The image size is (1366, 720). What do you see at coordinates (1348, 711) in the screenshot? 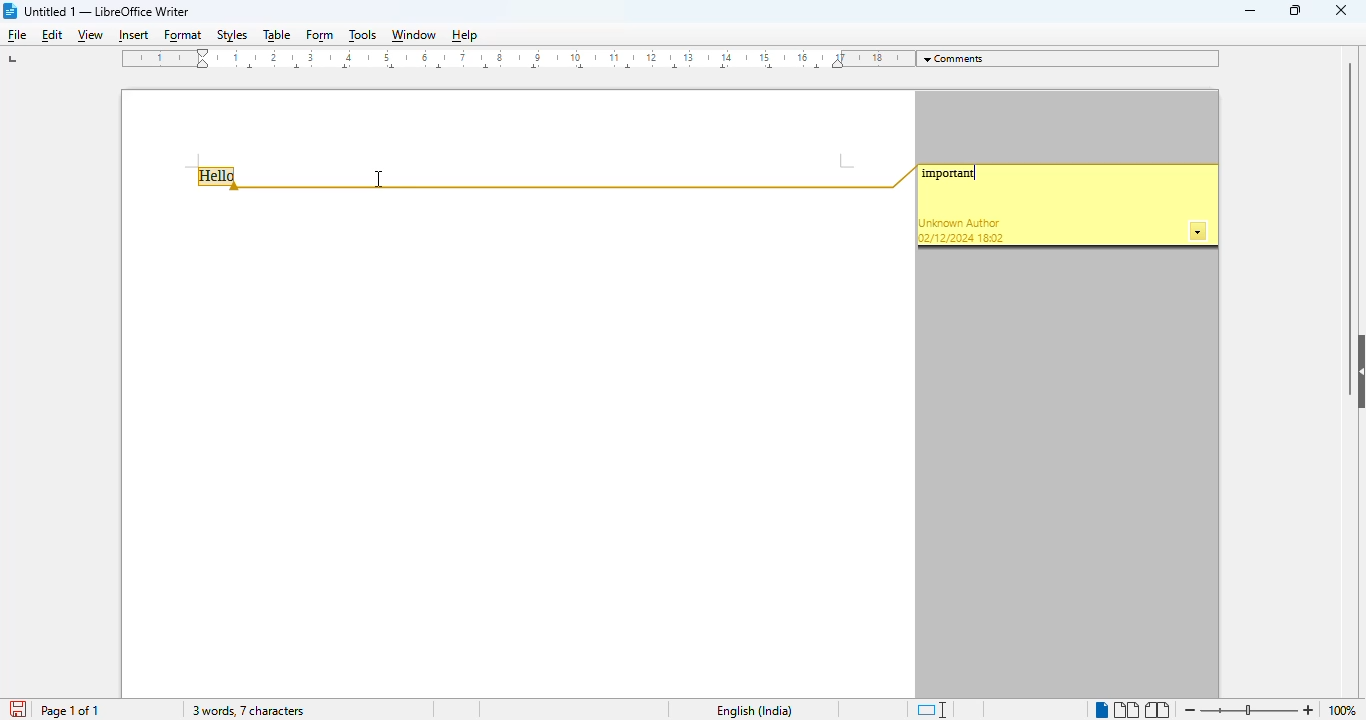
I see `zoom factor` at bounding box center [1348, 711].